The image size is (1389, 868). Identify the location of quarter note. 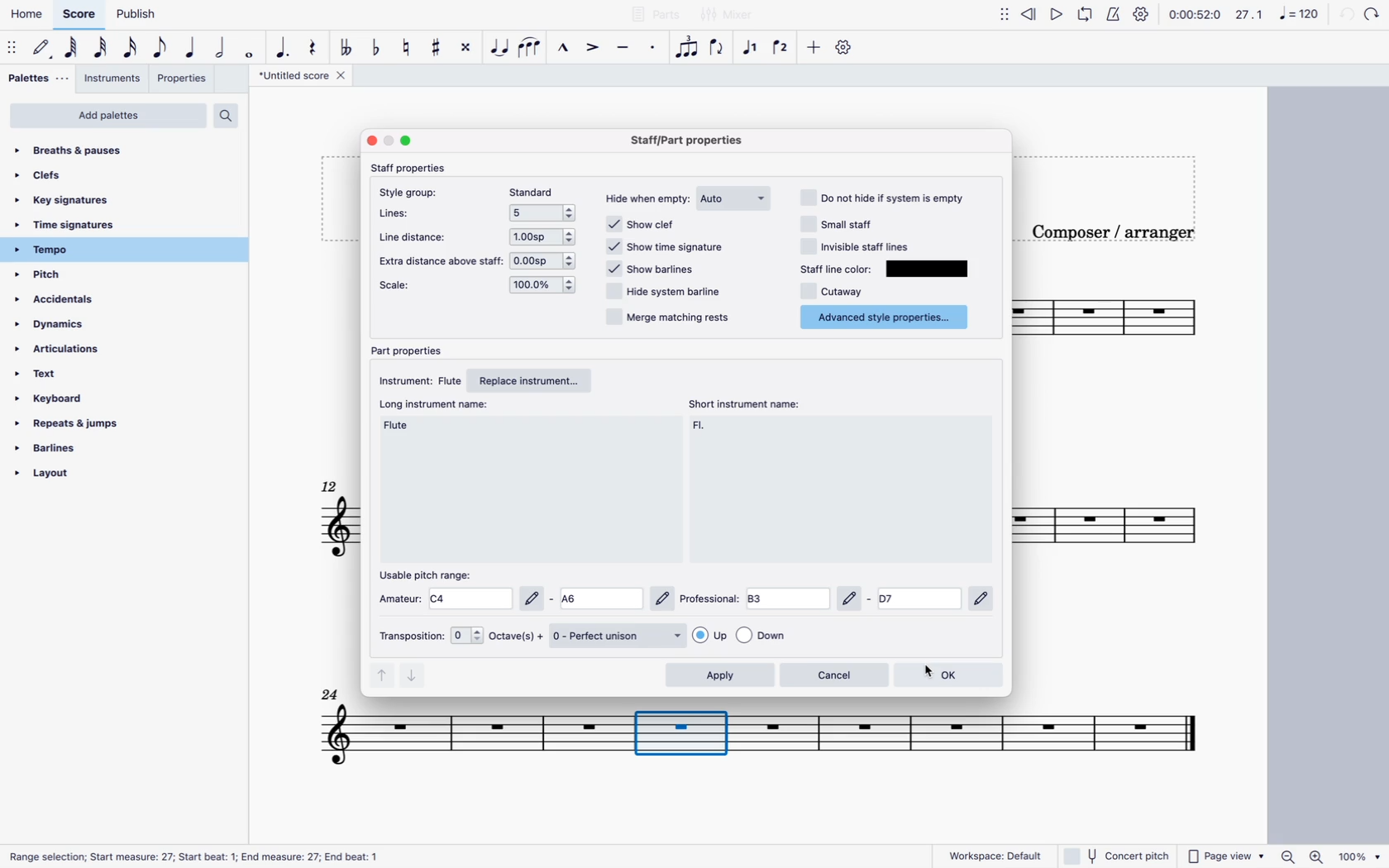
(192, 46).